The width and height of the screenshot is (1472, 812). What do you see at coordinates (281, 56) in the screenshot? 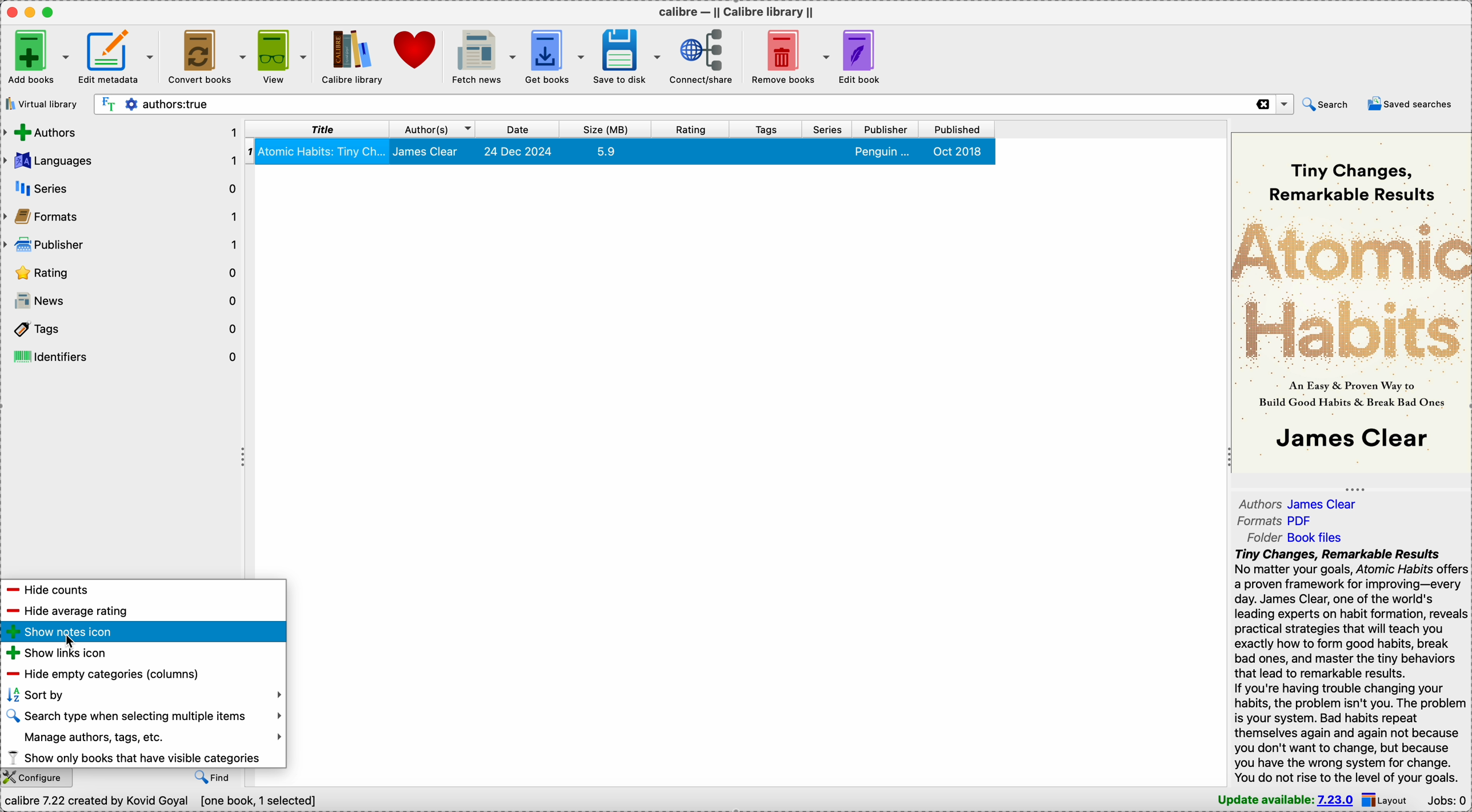
I see `view` at bounding box center [281, 56].